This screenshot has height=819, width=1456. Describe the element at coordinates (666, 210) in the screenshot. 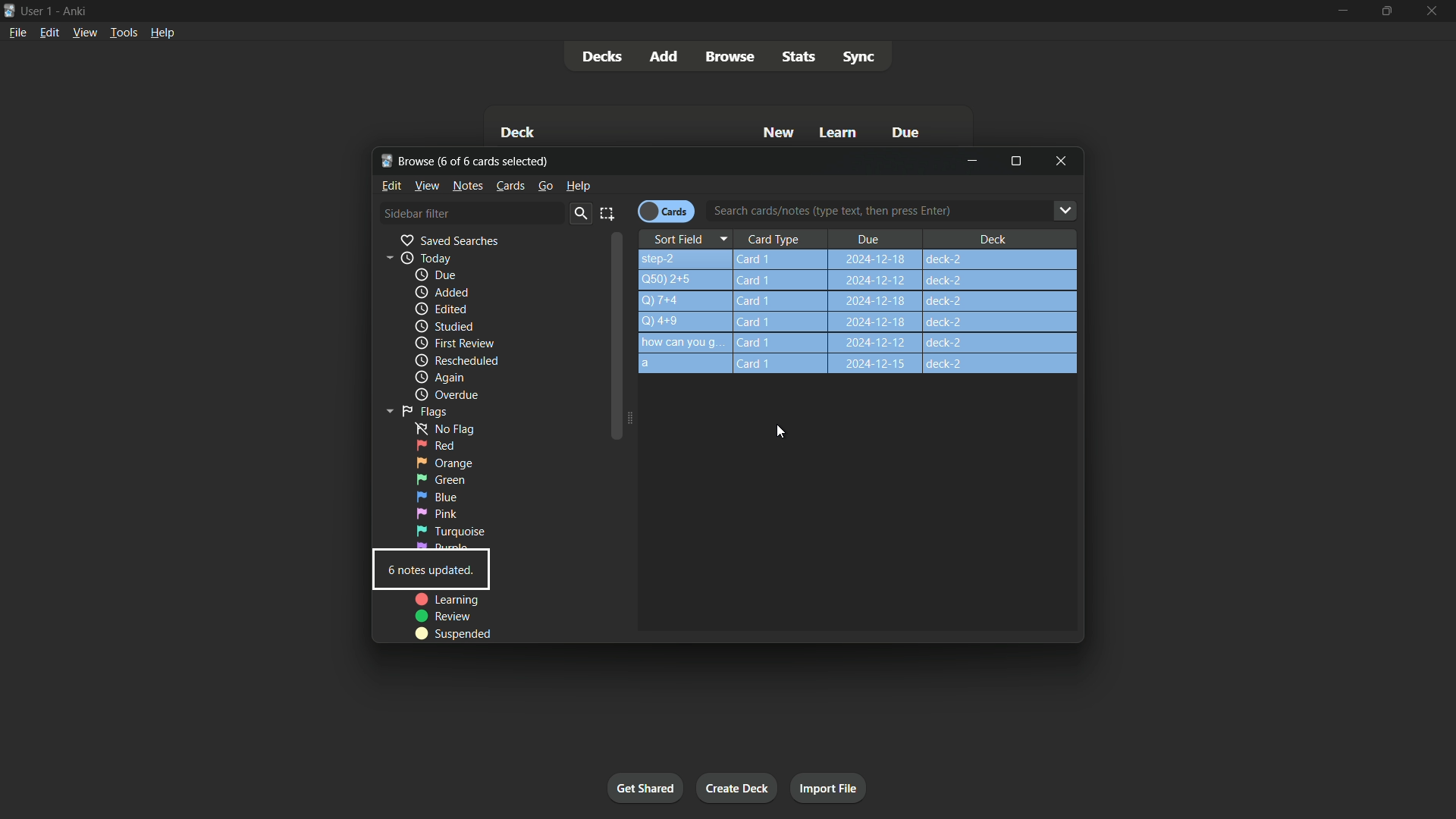

I see `Cards` at that location.